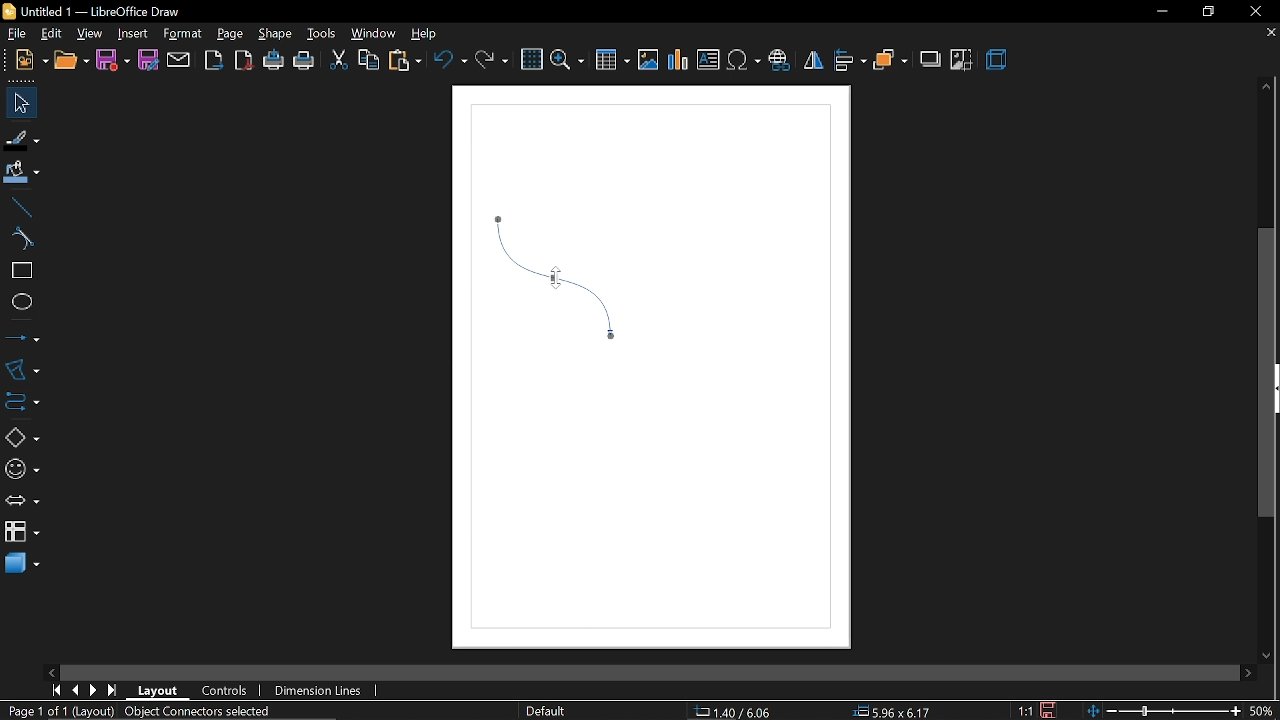  I want to click on flowchart, so click(22, 533).